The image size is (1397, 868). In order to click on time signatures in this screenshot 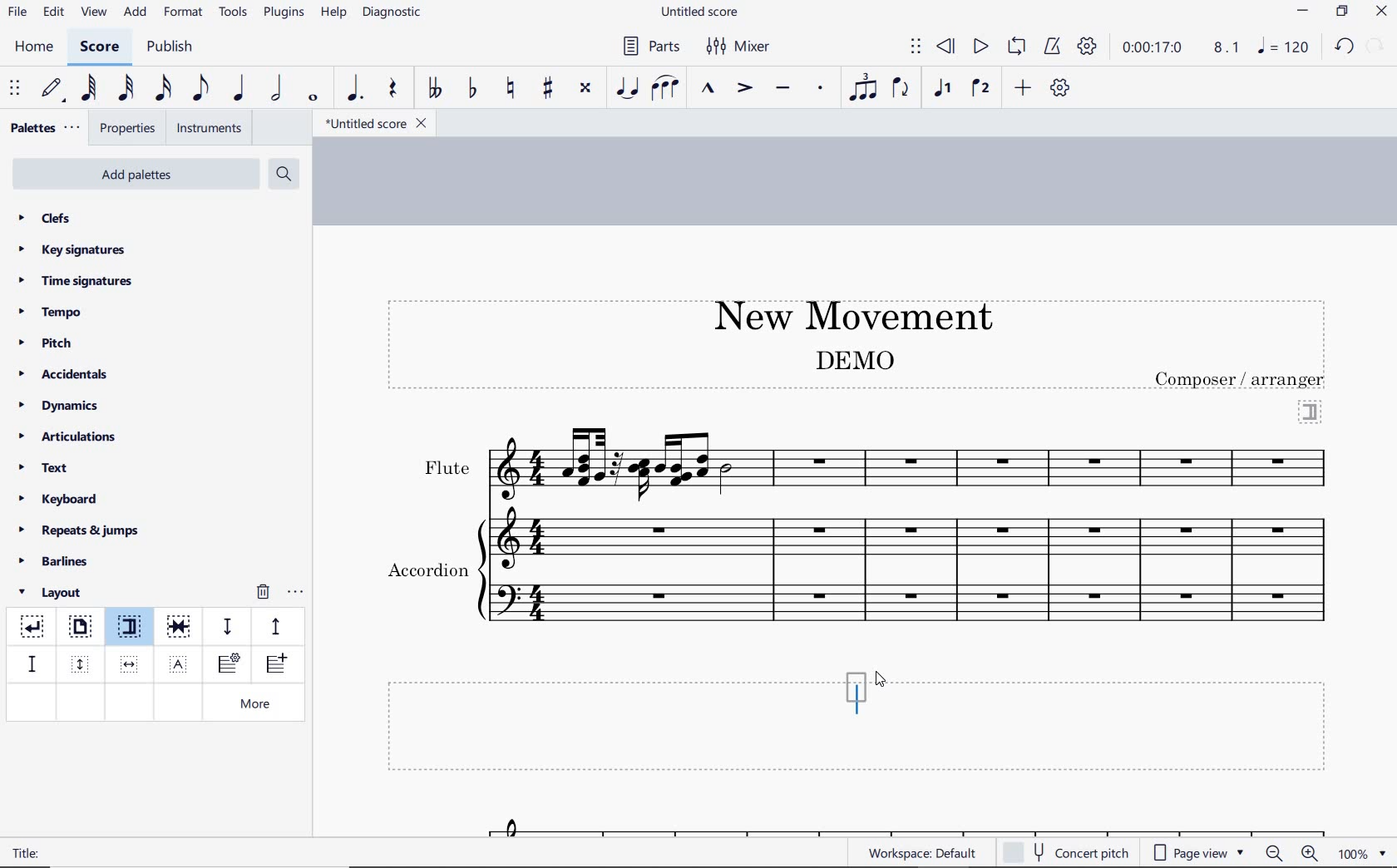, I will do `click(76, 280)`.